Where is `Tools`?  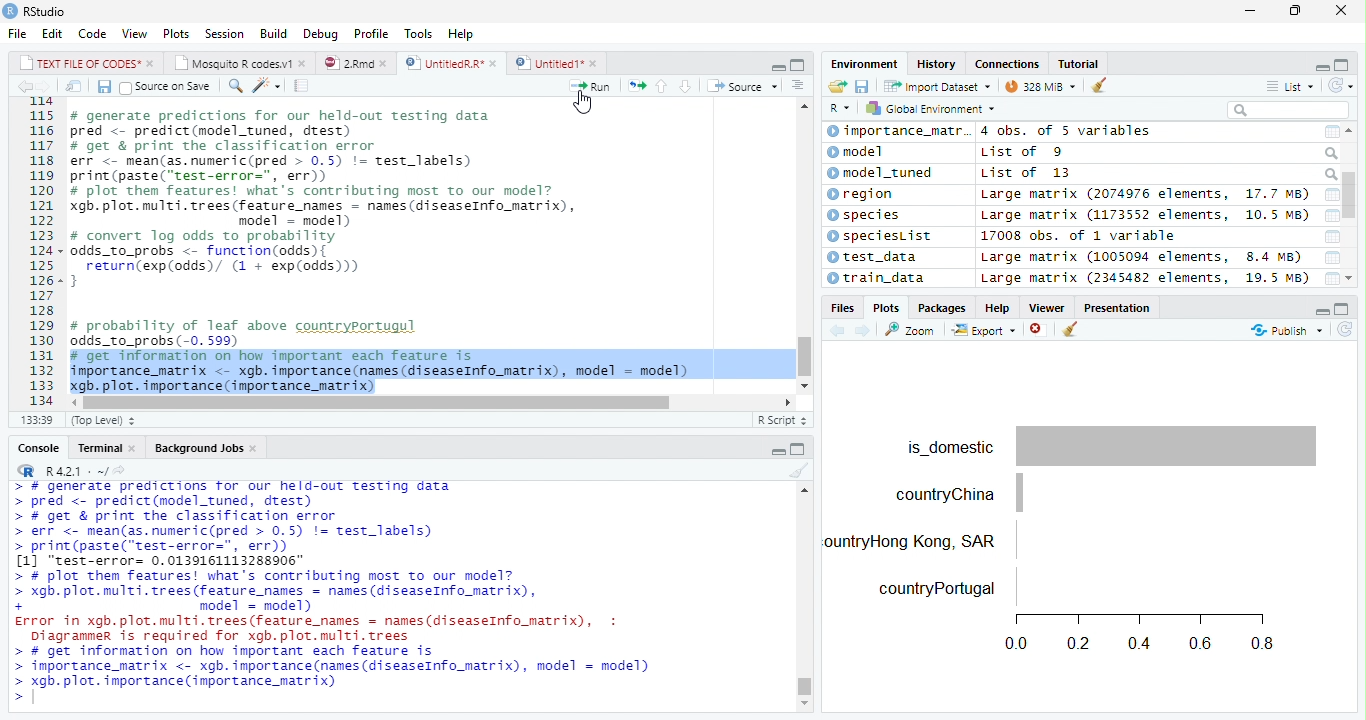 Tools is located at coordinates (418, 33).